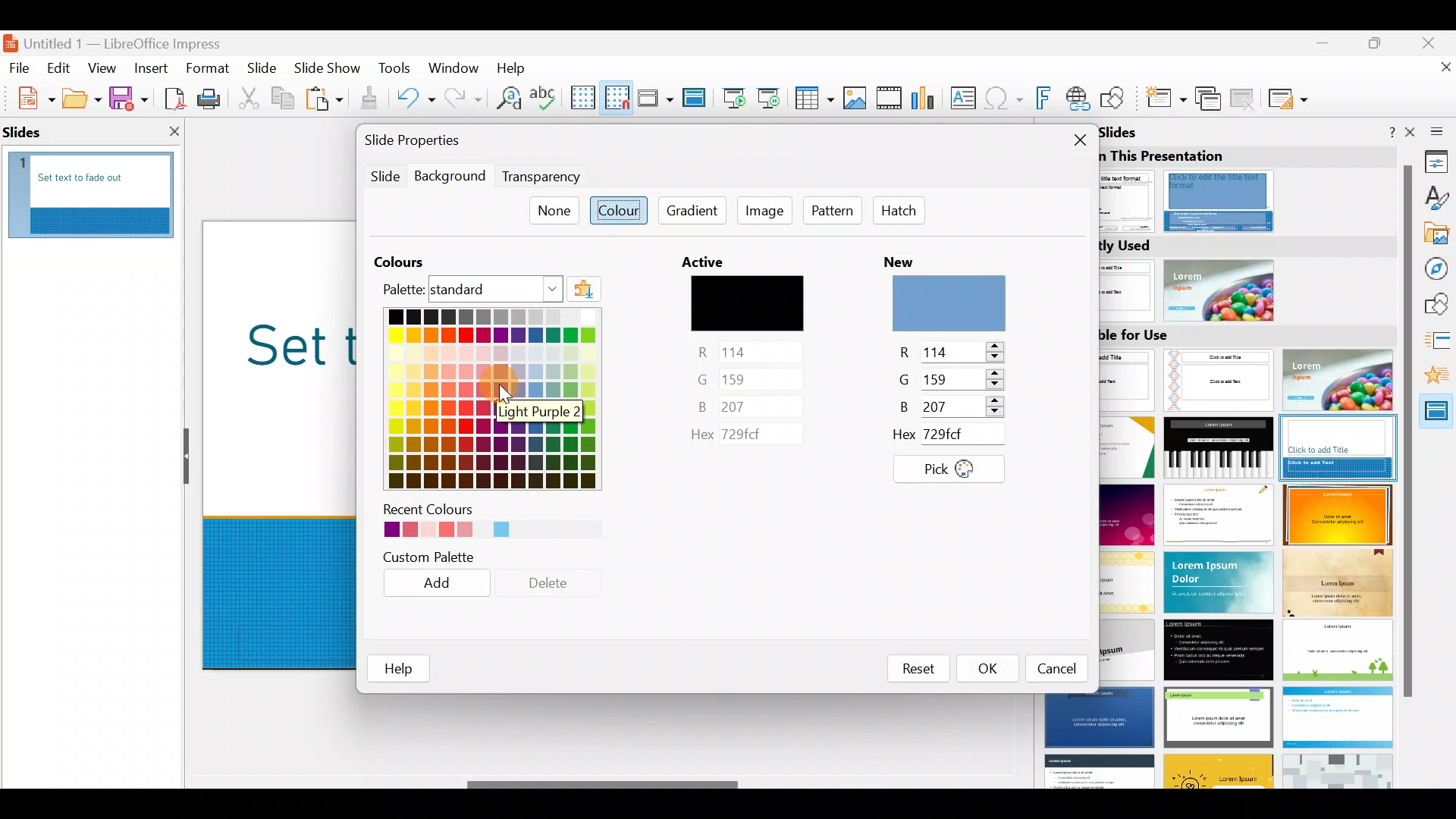  What do you see at coordinates (1241, 278) in the screenshot?
I see `Recently used` at bounding box center [1241, 278].